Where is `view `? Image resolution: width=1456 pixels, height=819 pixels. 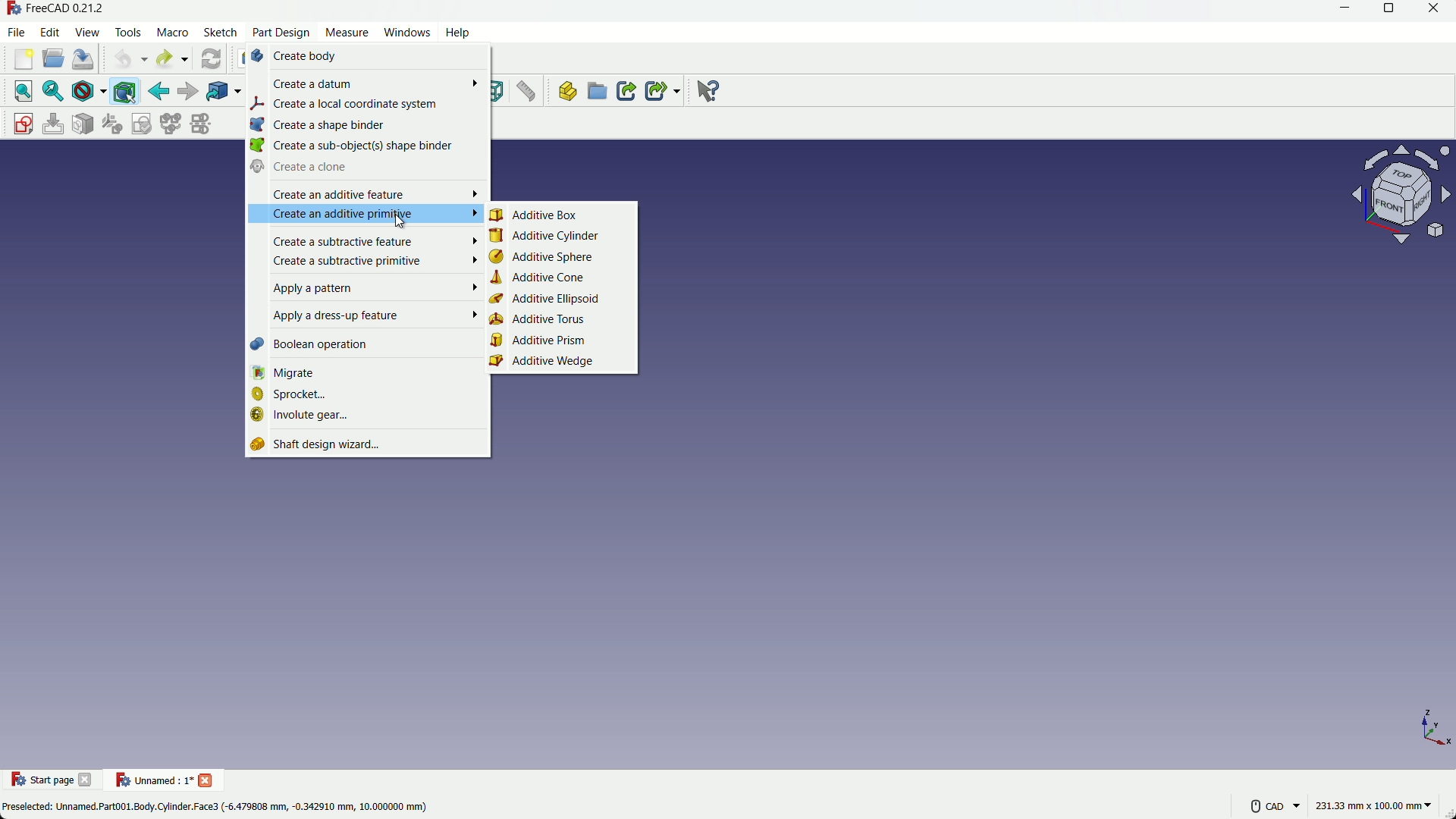 view  is located at coordinates (87, 31).